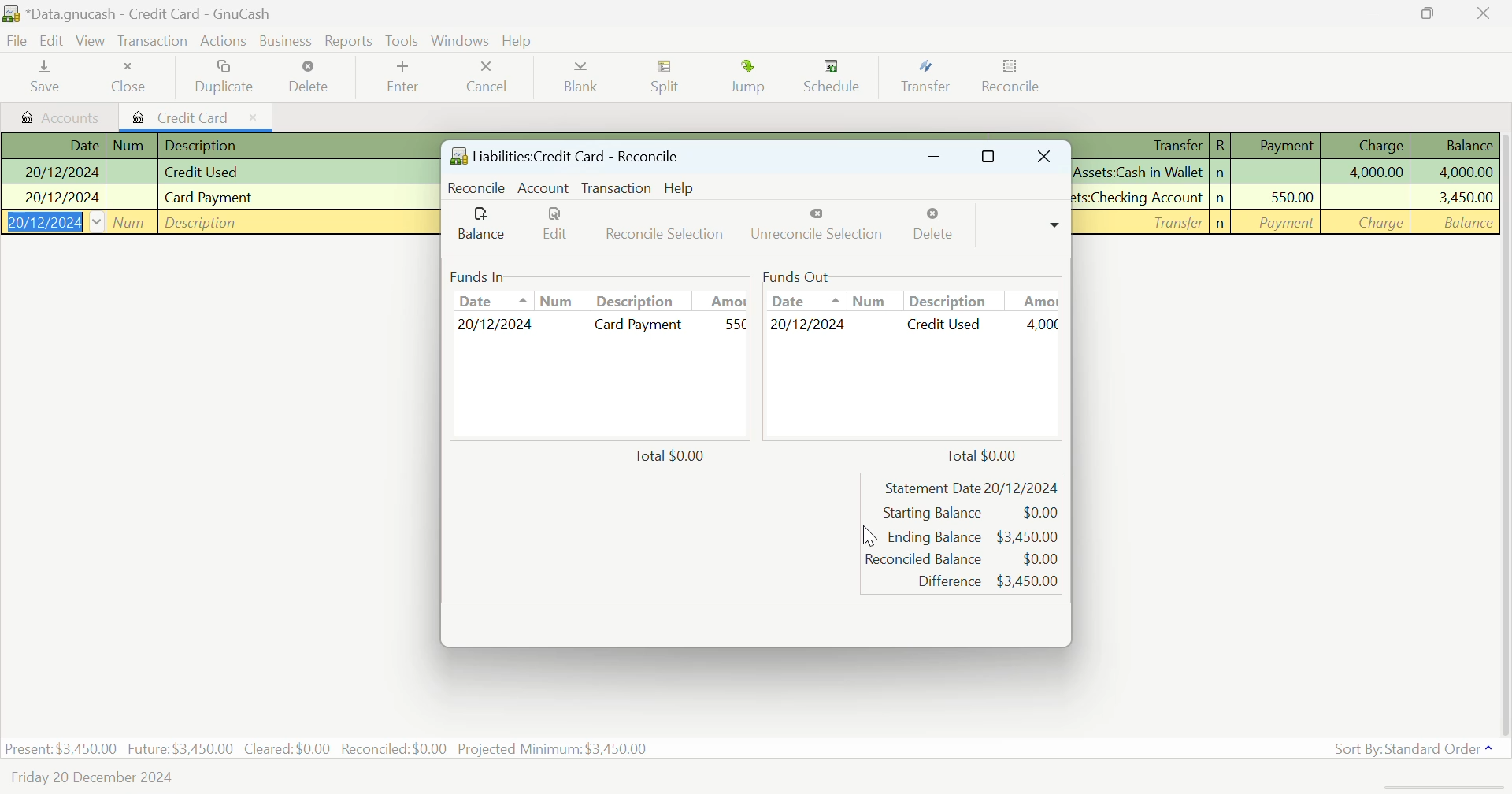 This screenshot has width=1512, height=794. Describe the element at coordinates (870, 538) in the screenshot. I see `Cursor AFTER_LAST_ACTION` at that location.